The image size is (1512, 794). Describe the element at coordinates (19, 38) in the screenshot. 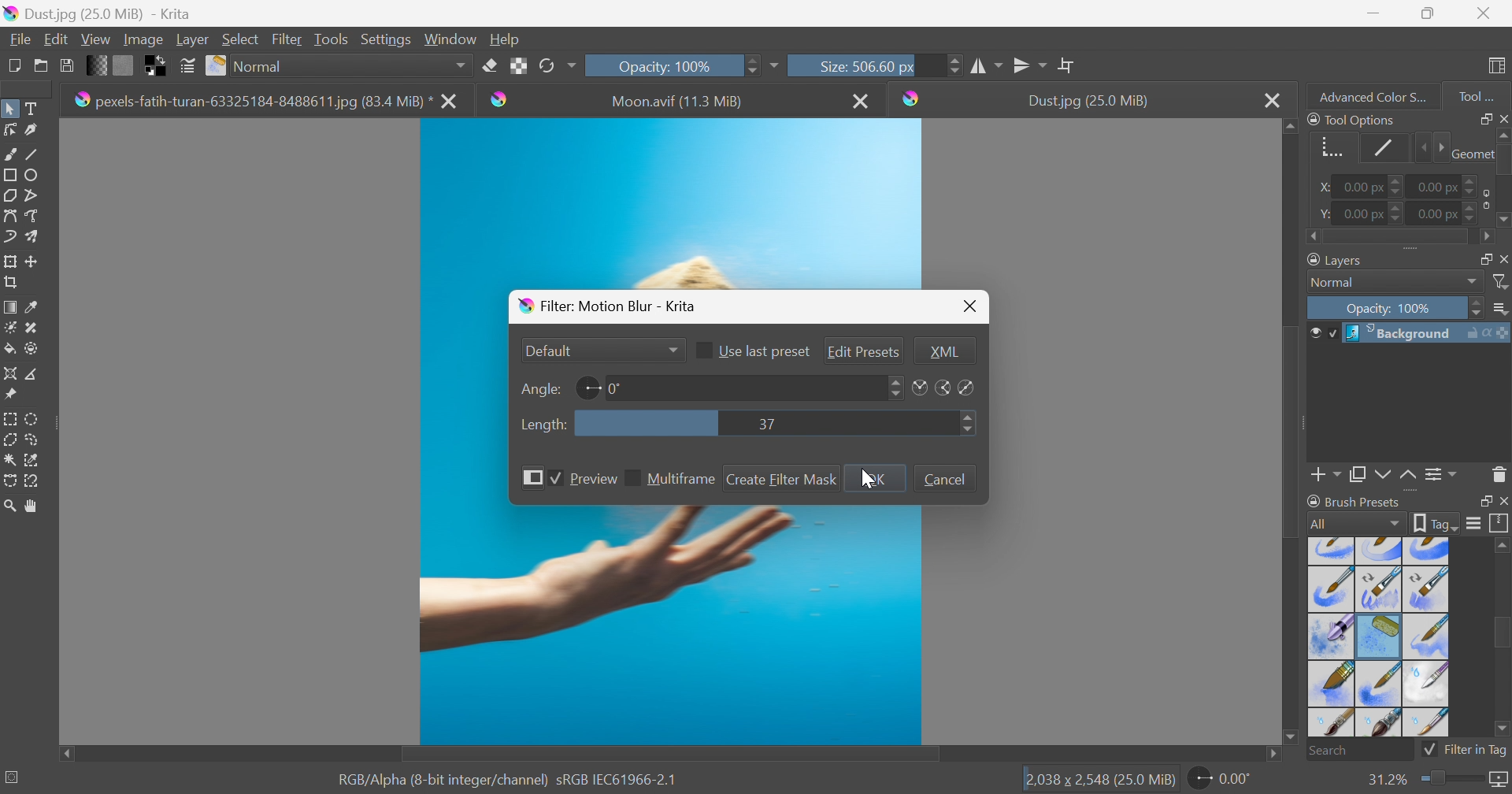

I see `File` at that location.